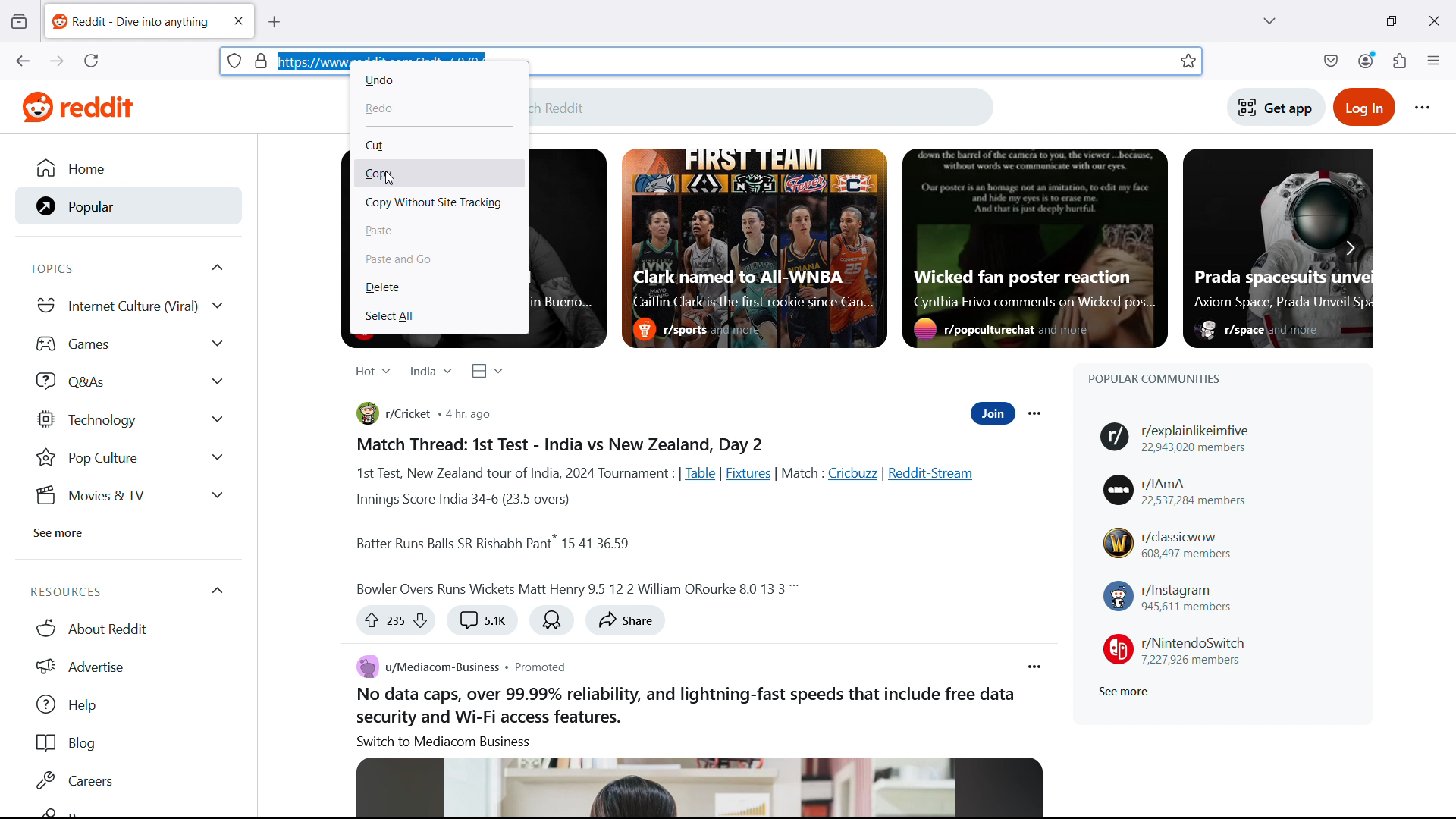  I want to click on Login to reddit, so click(1367, 106).